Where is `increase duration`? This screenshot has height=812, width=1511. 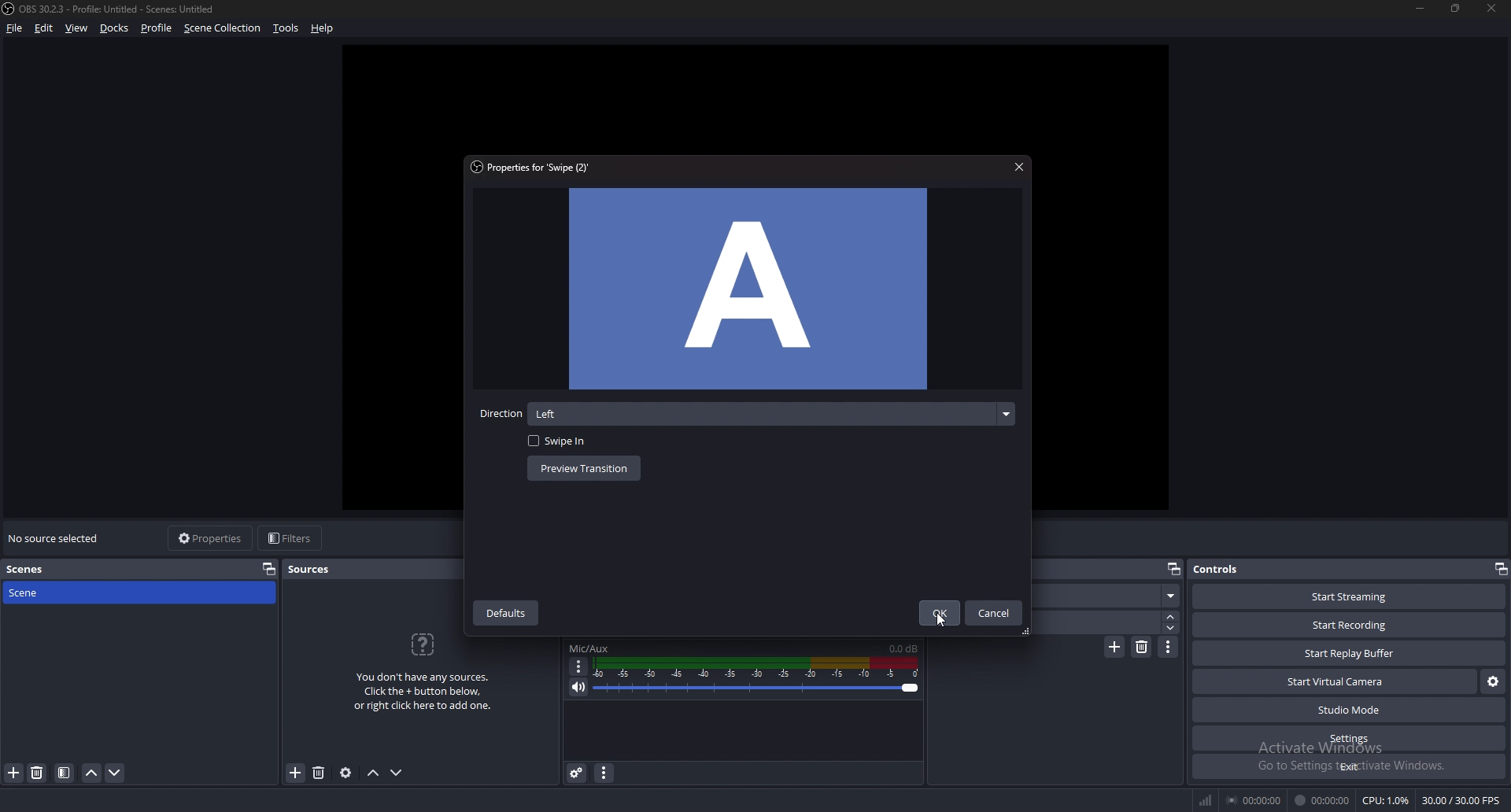
increase duration is located at coordinates (1170, 617).